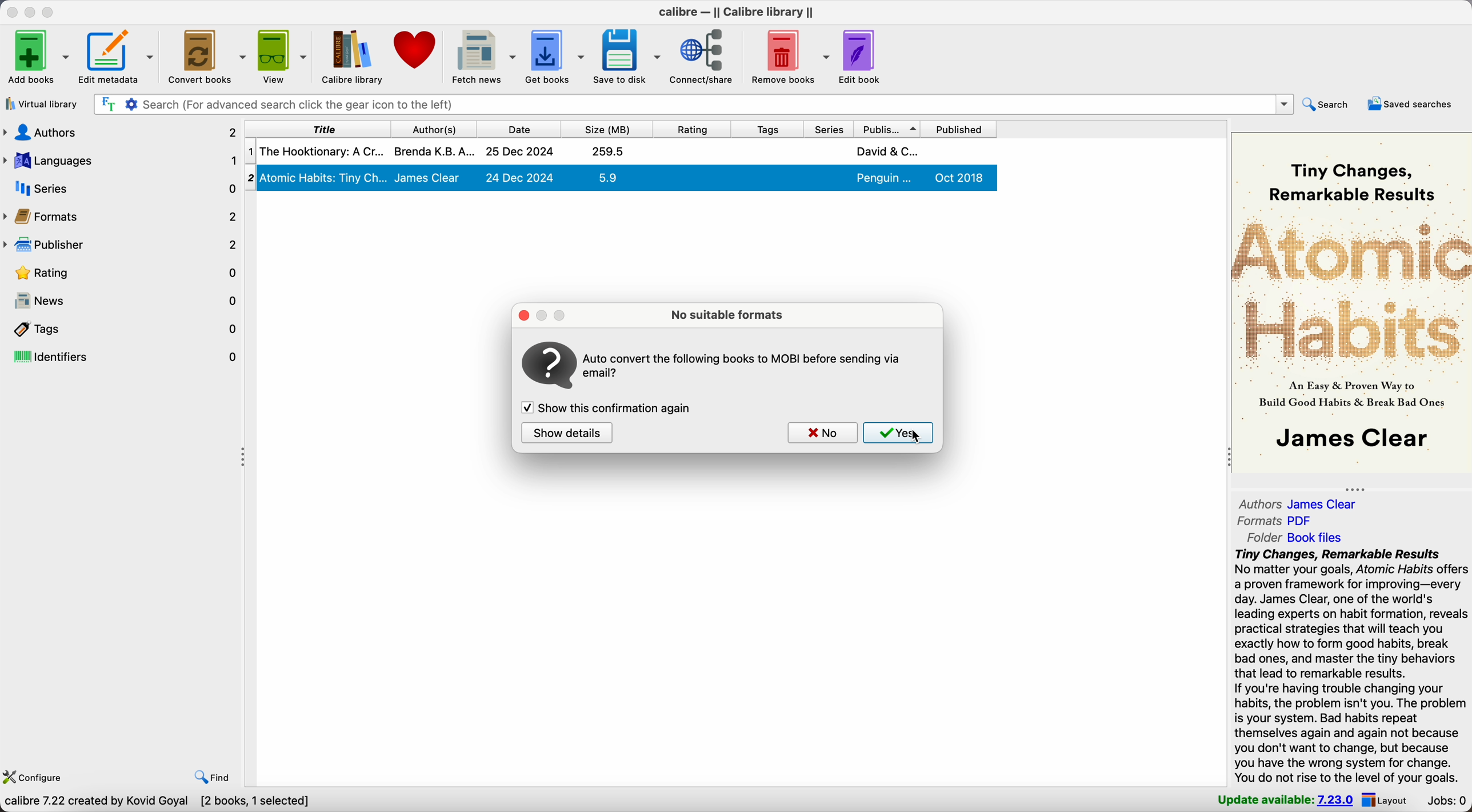 Image resolution: width=1472 pixels, height=812 pixels. What do you see at coordinates (1298, 503) in the screenshot?
I see `authors James Clear` at bounding box center [1298, 503].